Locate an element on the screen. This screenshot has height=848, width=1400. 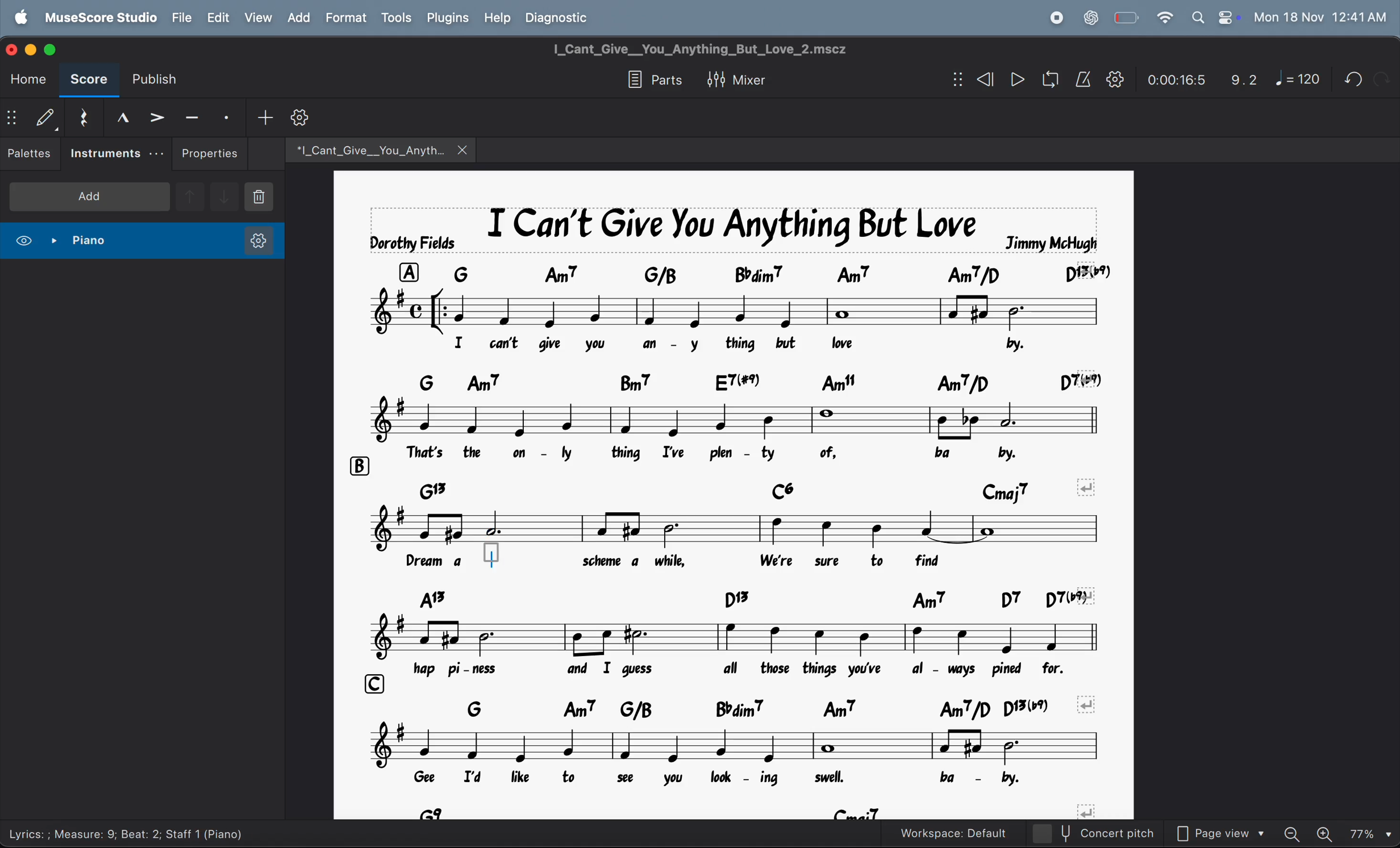
chord symbols is located at coordinates (755, 490).